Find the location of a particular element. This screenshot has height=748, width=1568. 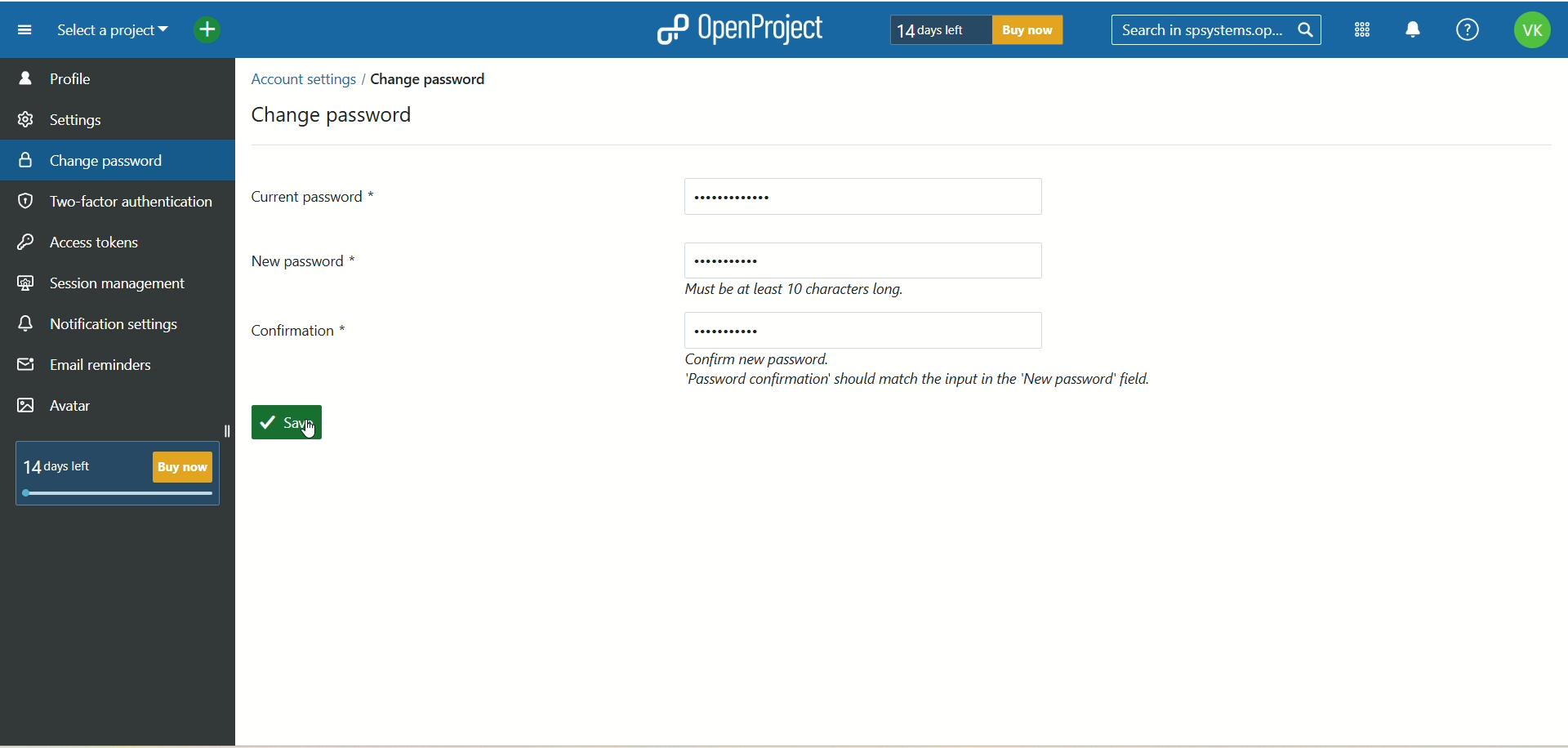

change password is located at coordinates (336, 112).